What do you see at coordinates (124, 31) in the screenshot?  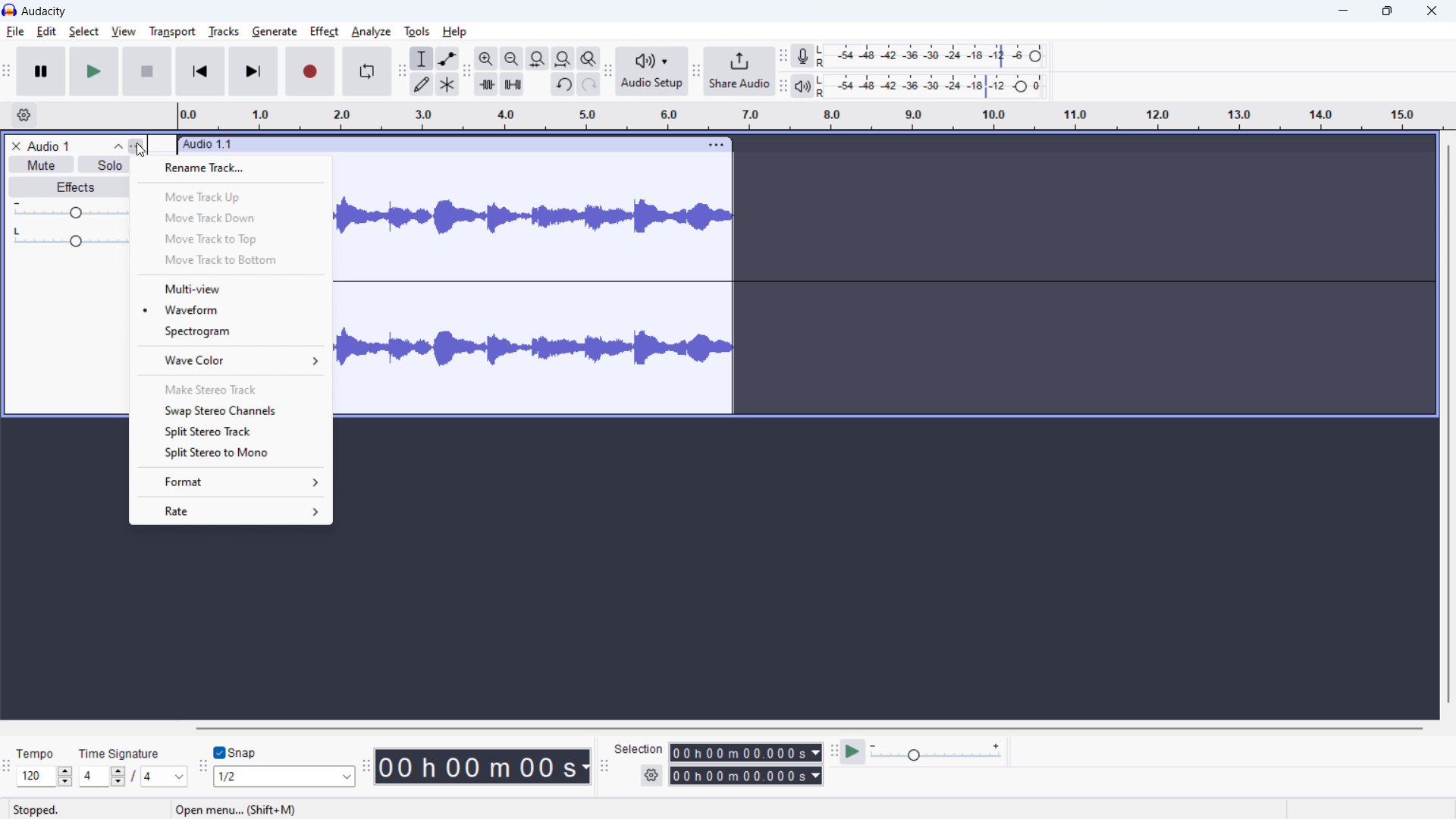 I see `view` at bounding box center [124, 31].